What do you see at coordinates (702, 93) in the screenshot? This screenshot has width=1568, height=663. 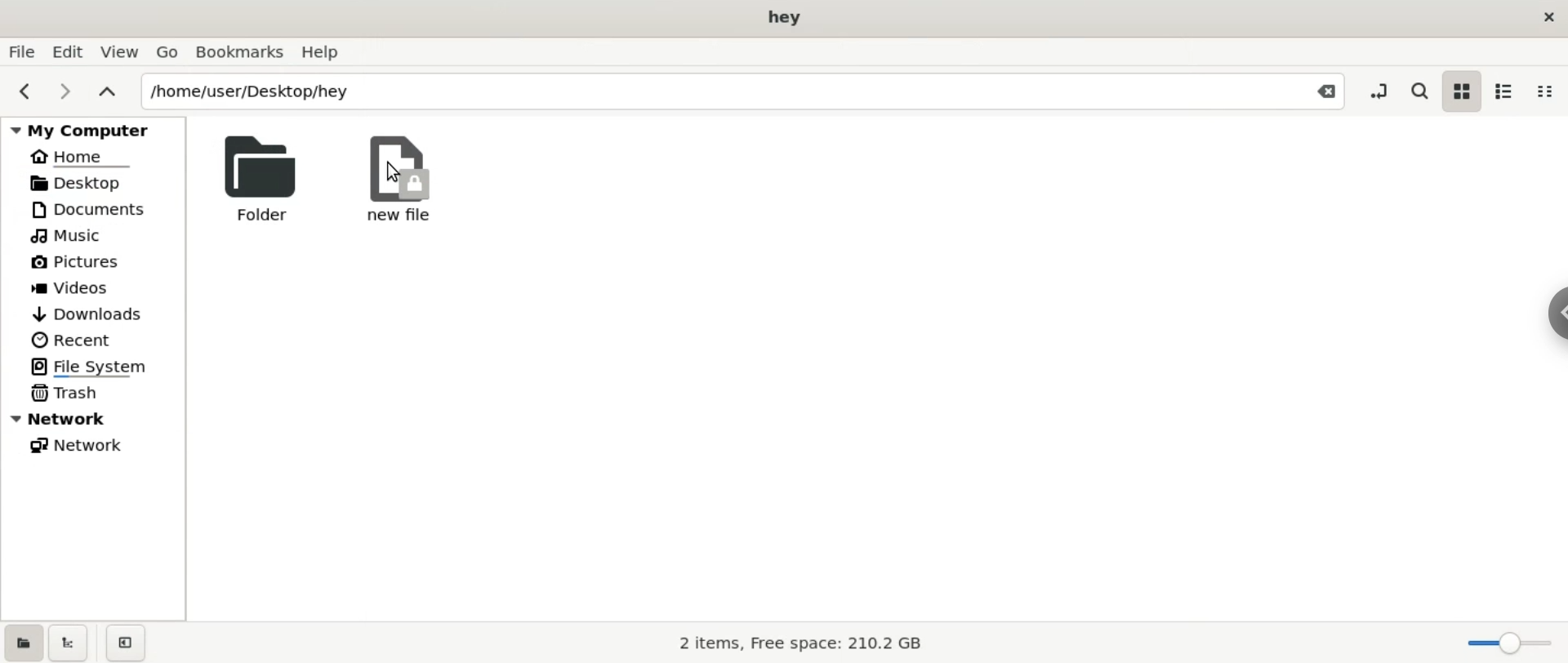 I see `/home/user/Desktop/hey` at bounding box center [702, 93].